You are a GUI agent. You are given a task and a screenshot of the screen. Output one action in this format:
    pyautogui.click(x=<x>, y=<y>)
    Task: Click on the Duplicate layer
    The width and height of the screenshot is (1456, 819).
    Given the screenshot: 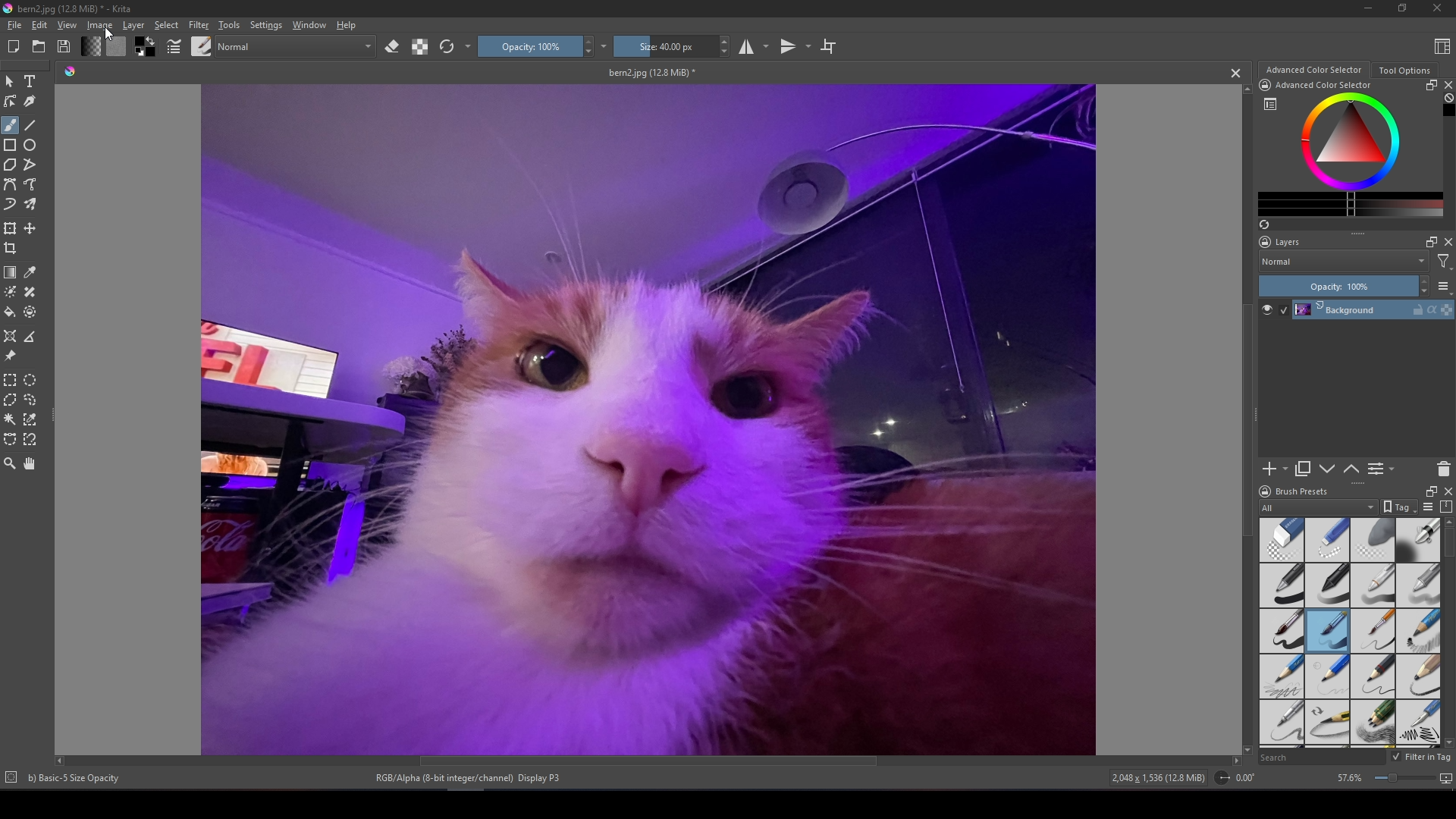 What is the action you would take?
    pyautogui.click(x=1303, y=469)
    